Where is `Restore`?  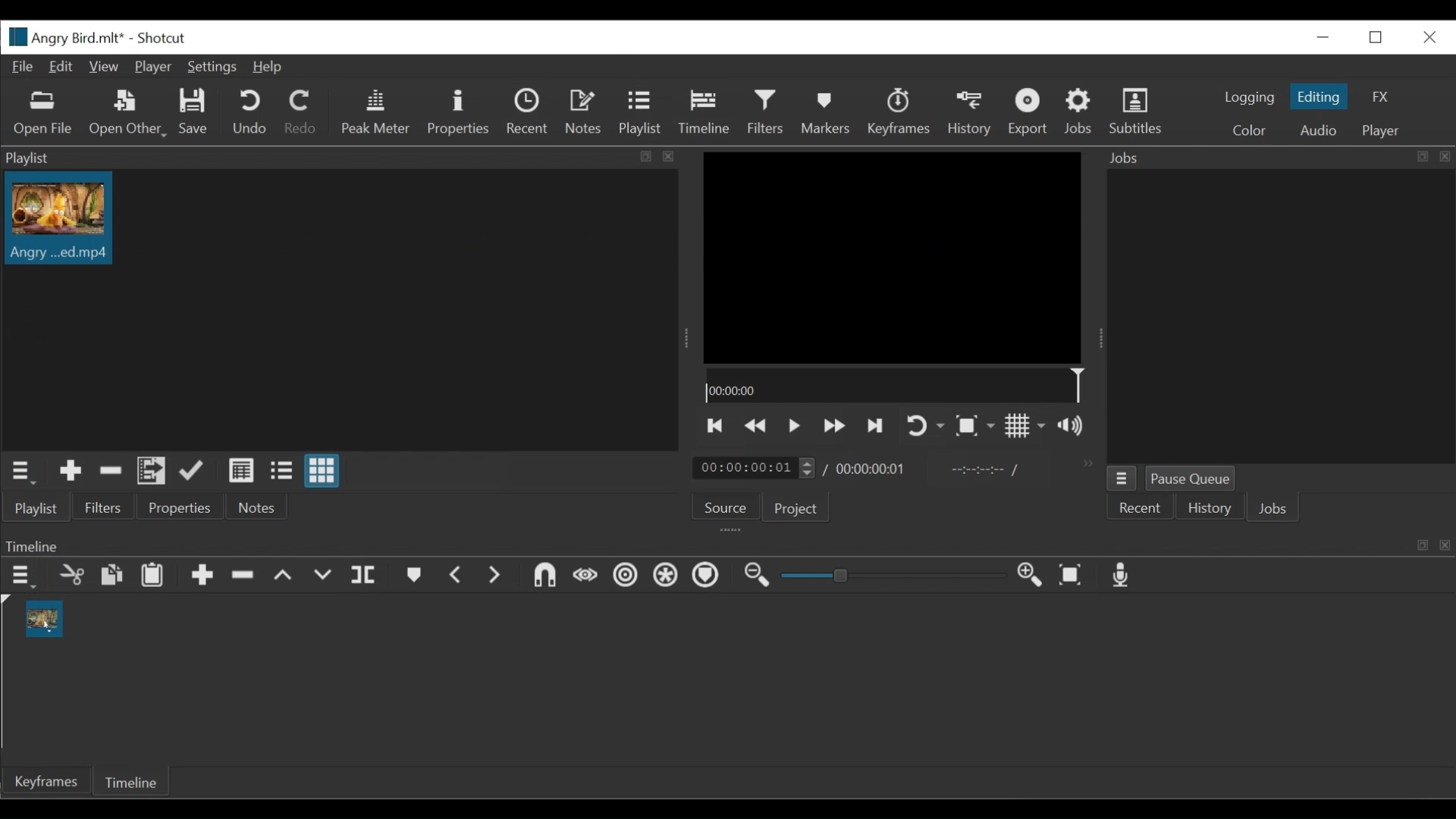 Restore is located at coordinates (1378, 36).